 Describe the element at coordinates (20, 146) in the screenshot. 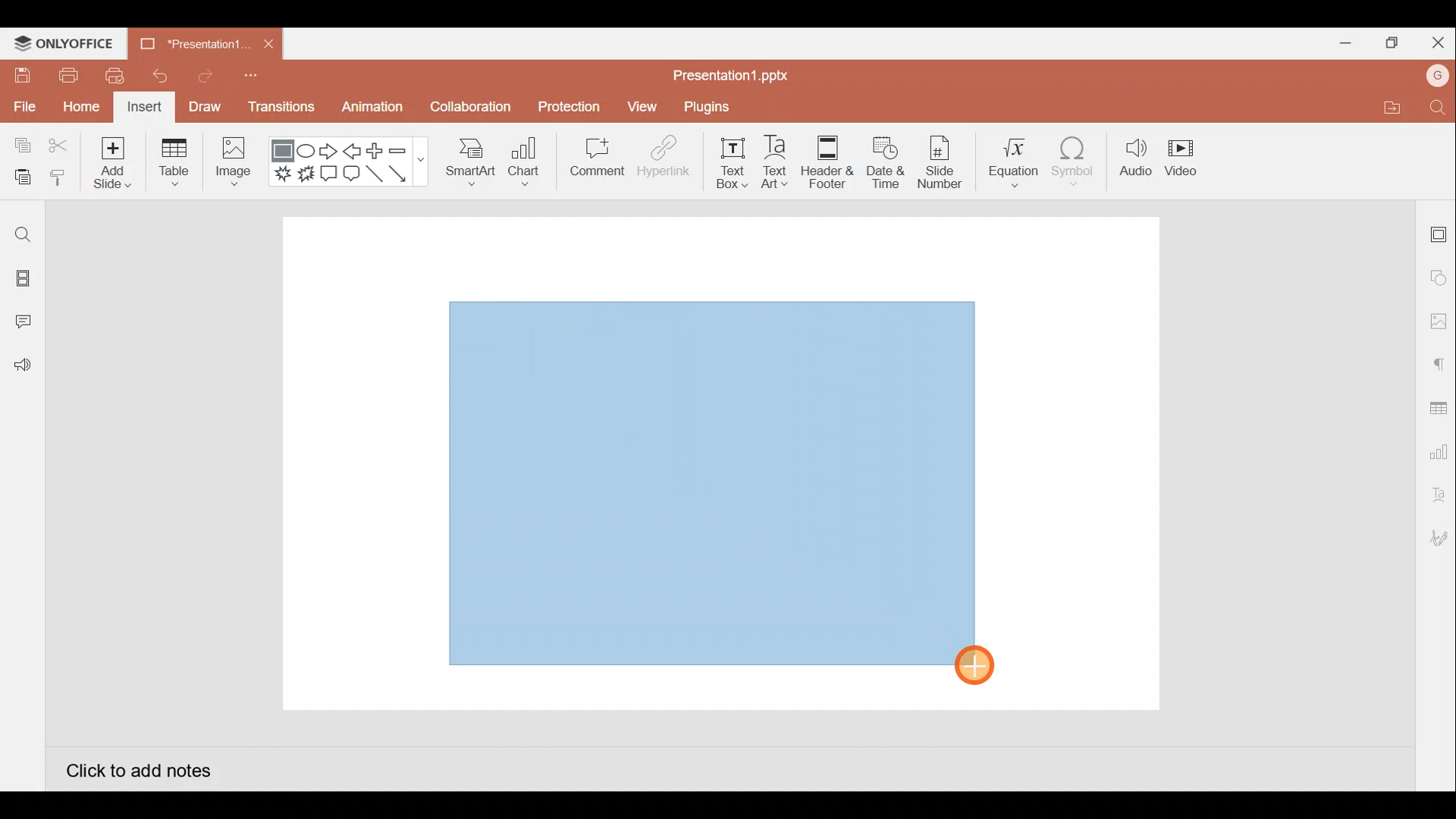

I see `Copy` at that location.